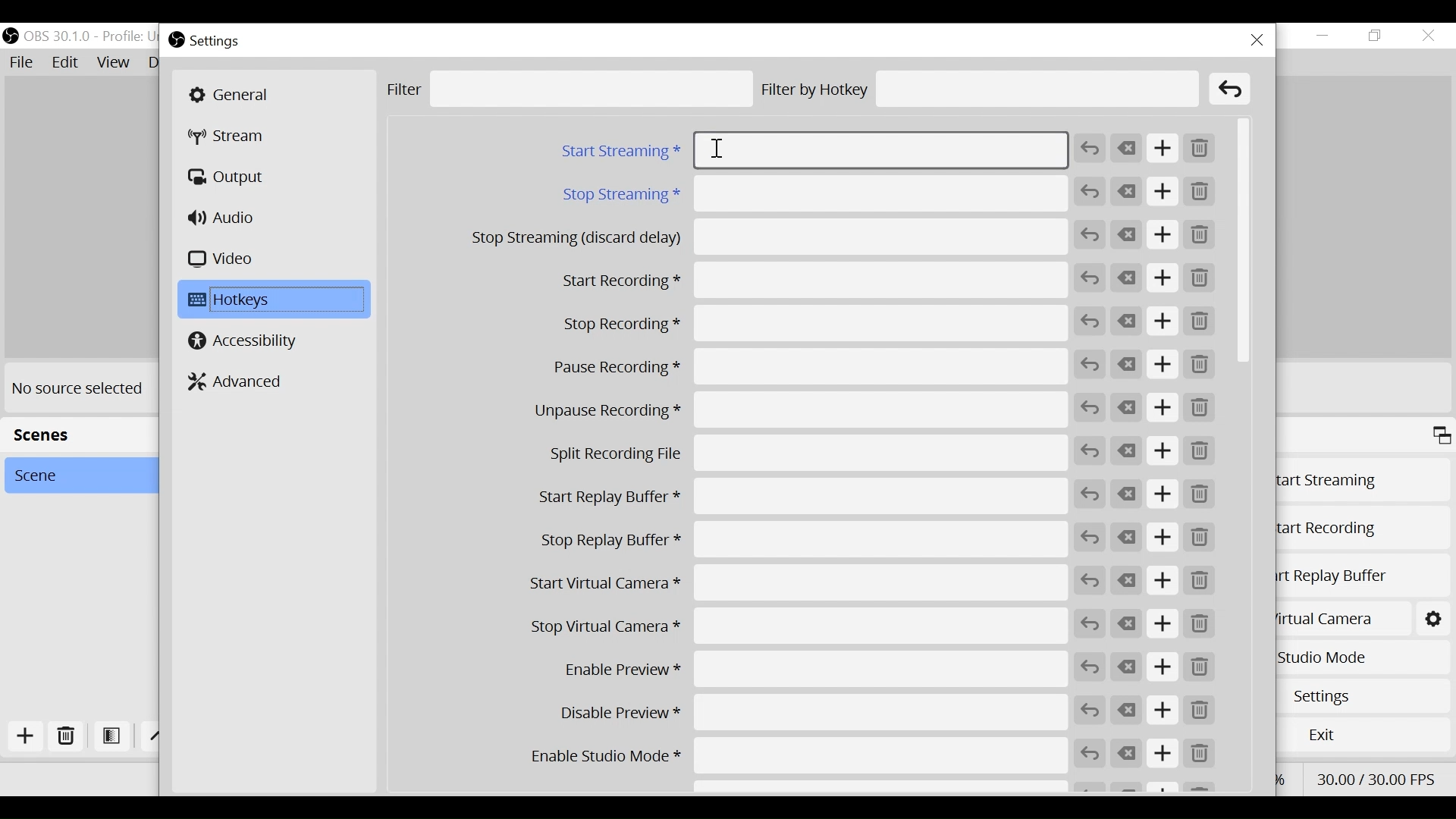  What do you see at coordinates (812, 149) in the screenshot?
I see `Start Streaming` at bounding box center [812, 149].